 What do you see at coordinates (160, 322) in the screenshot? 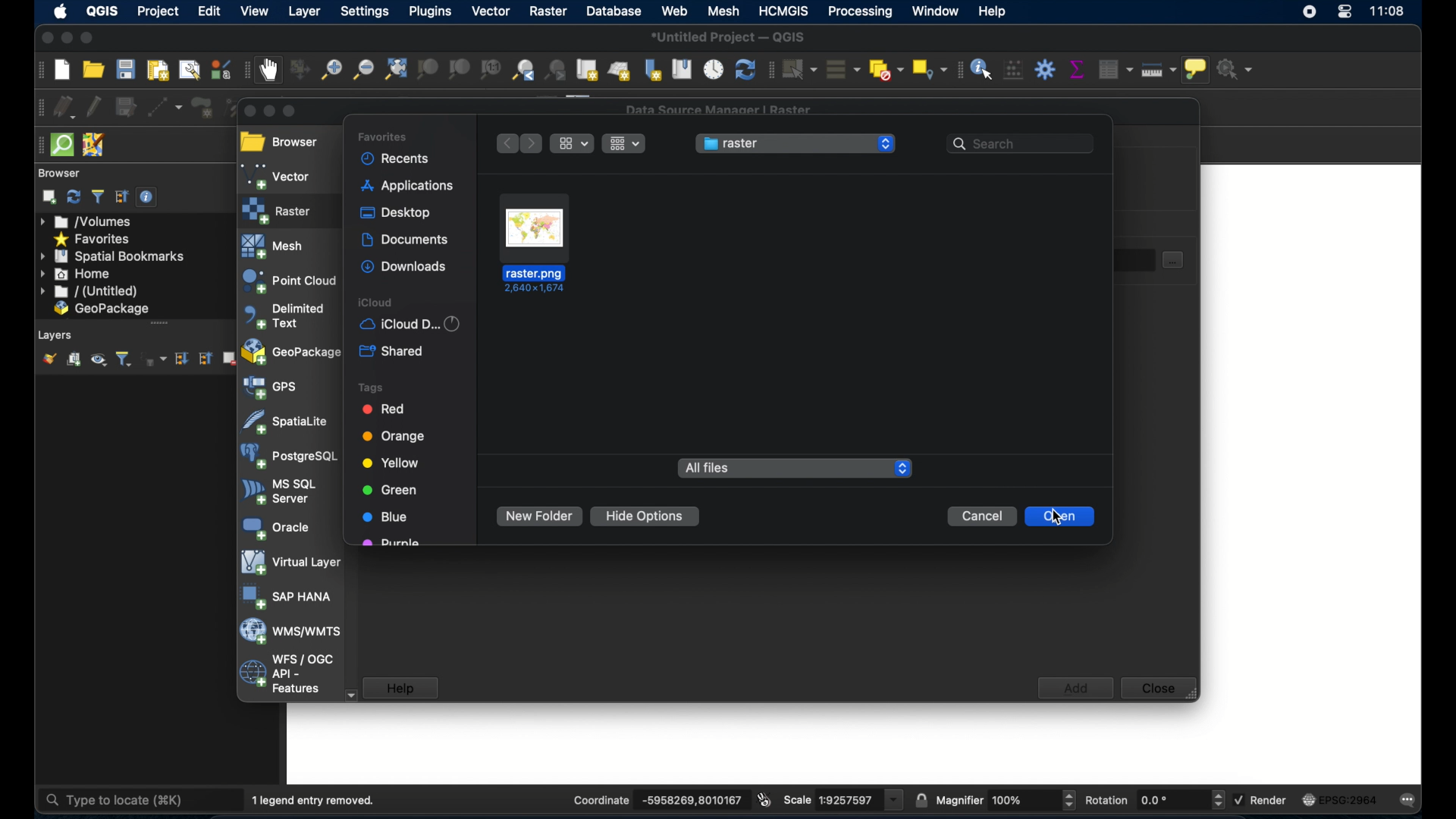
I see `drag handle` at bounding box center [160, 322].